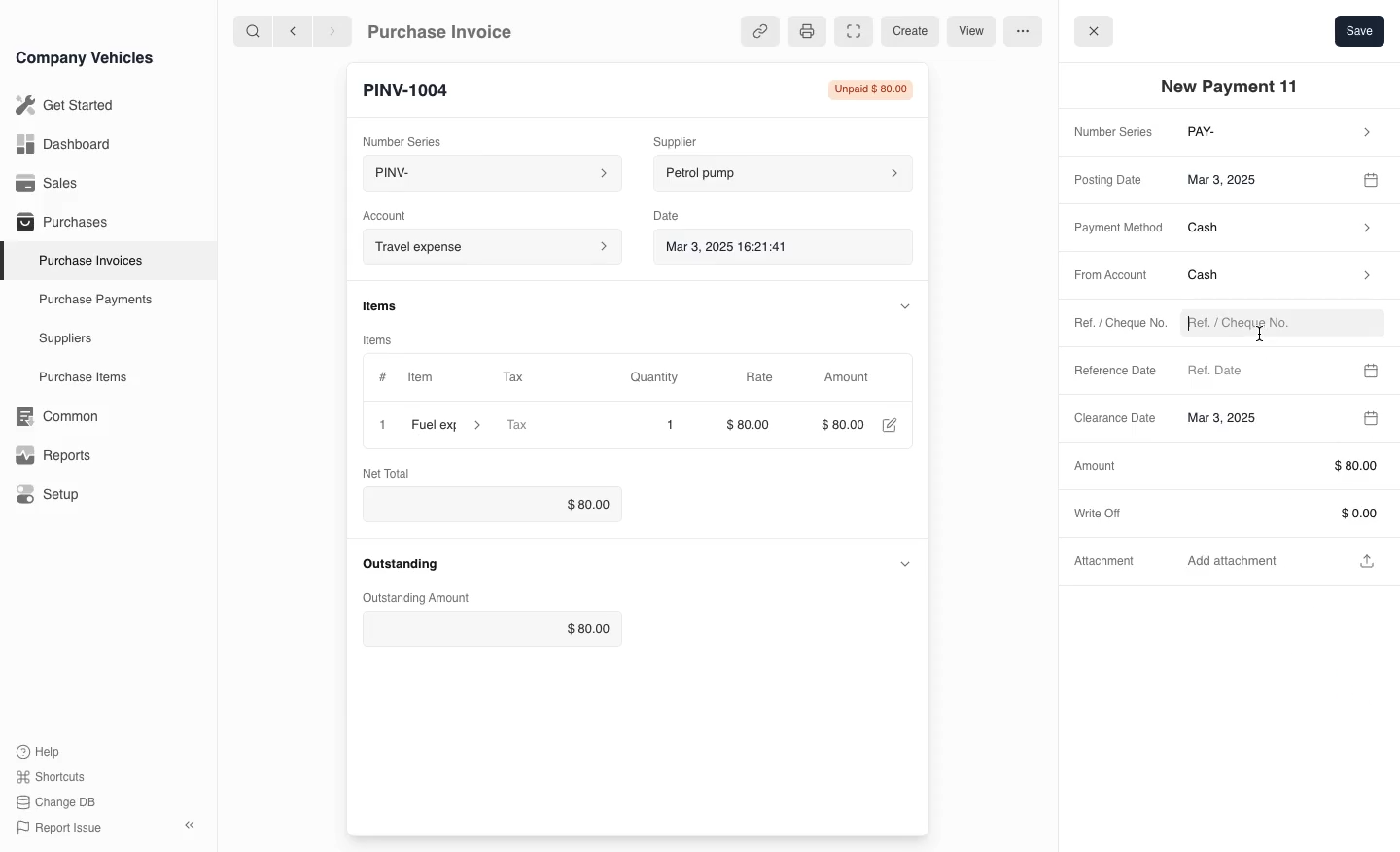 This screenshot has width=1400, height=852. What do you see at coordinates (332, 30) in the screenshot?
I see `next` at bounding box center [332, 30].